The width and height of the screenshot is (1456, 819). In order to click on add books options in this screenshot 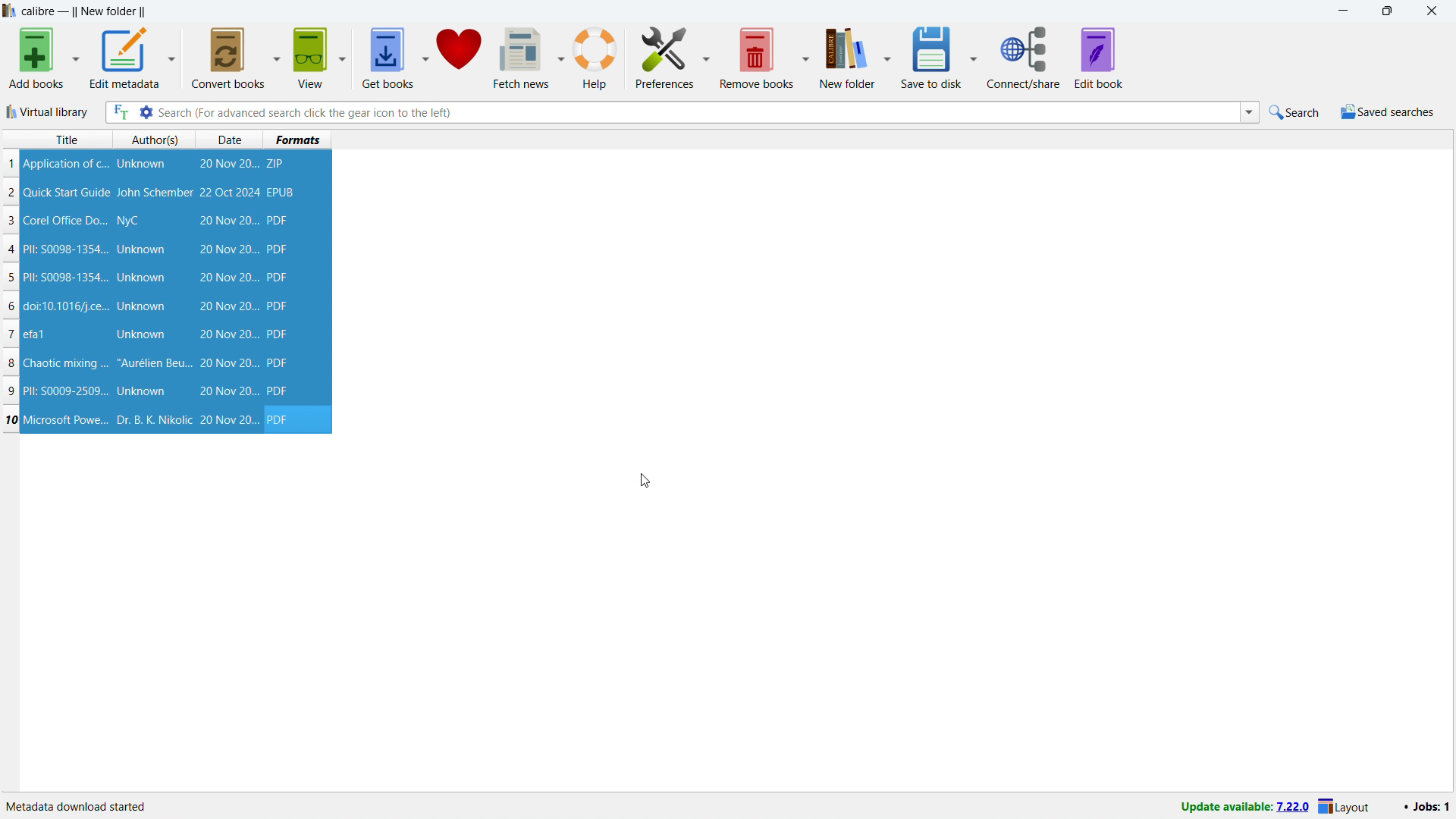, I will do `click(77, 57)`.